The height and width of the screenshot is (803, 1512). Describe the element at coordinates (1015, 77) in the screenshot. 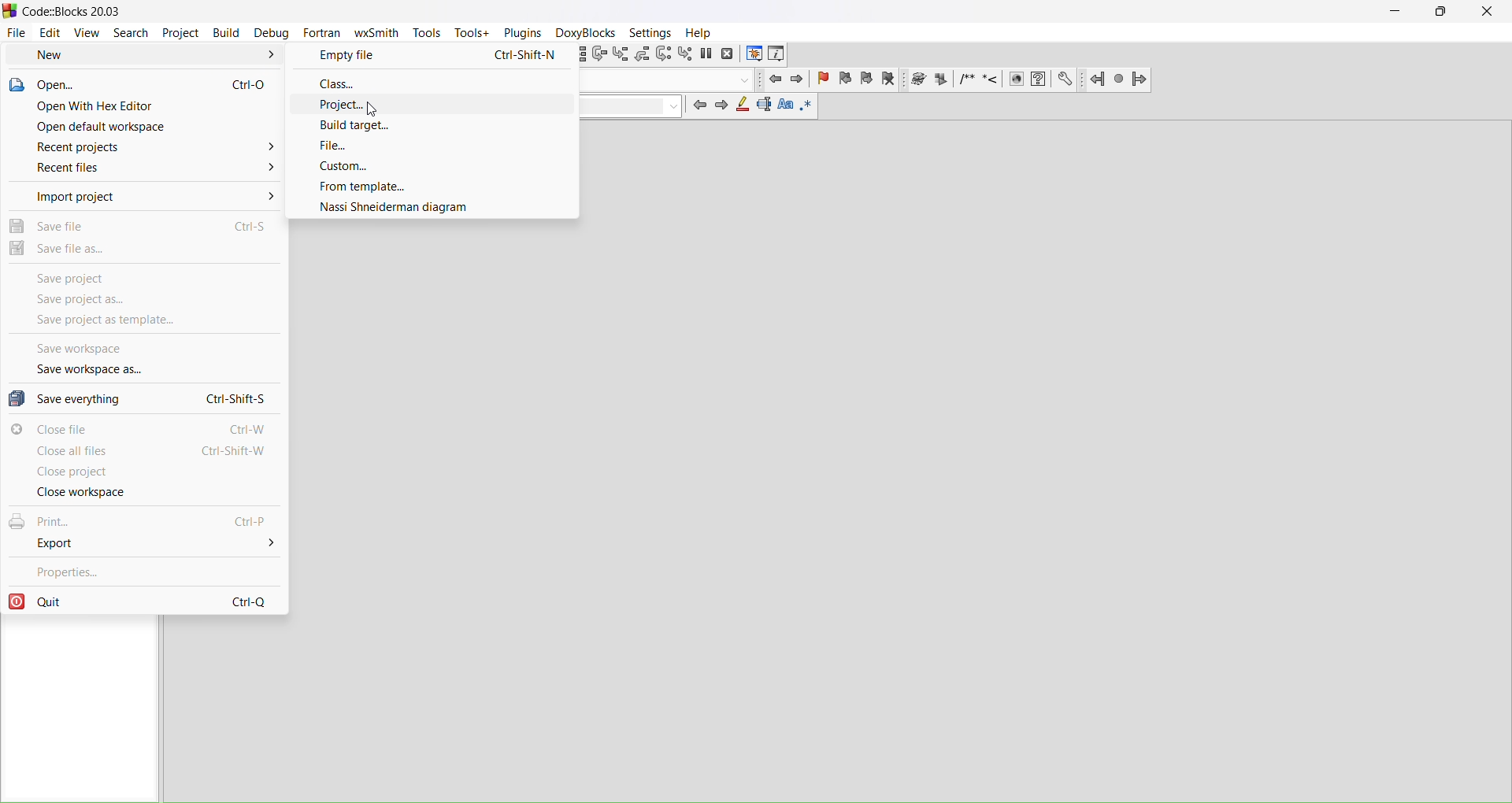

I see `HTML` at that location.